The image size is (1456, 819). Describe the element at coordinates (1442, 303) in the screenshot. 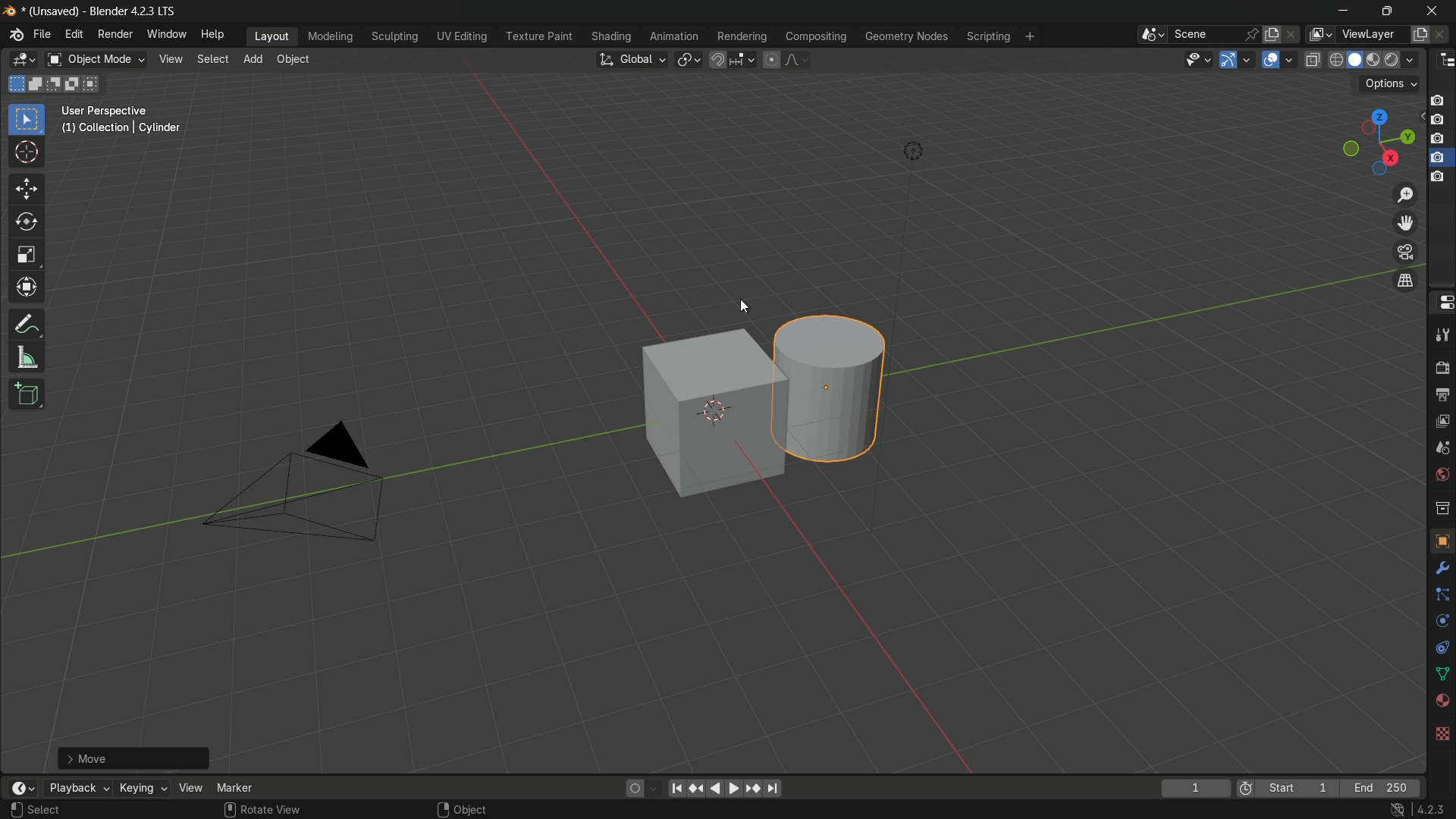

I see `properties` at that location.